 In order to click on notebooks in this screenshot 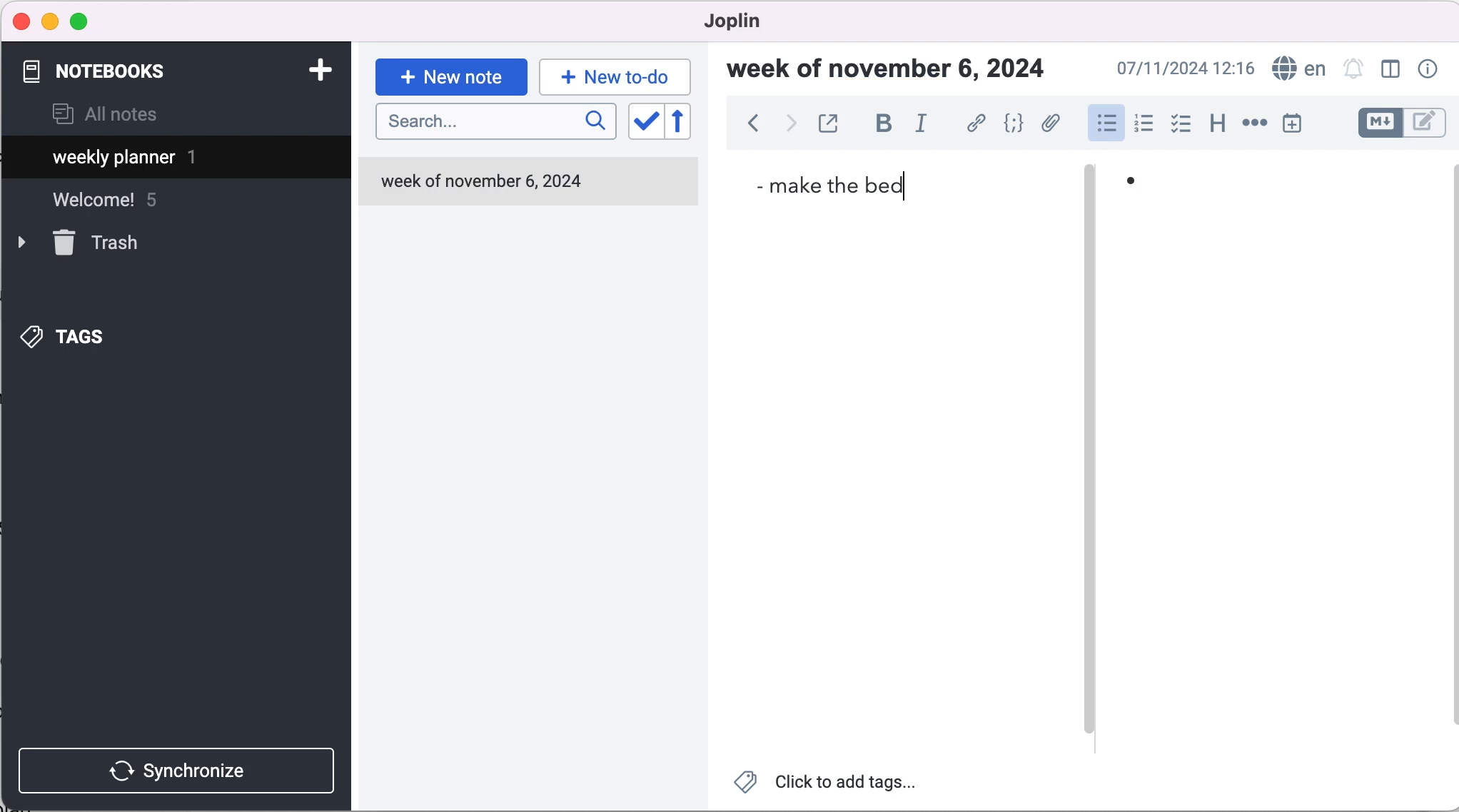, I will do `click(106, 71)`.